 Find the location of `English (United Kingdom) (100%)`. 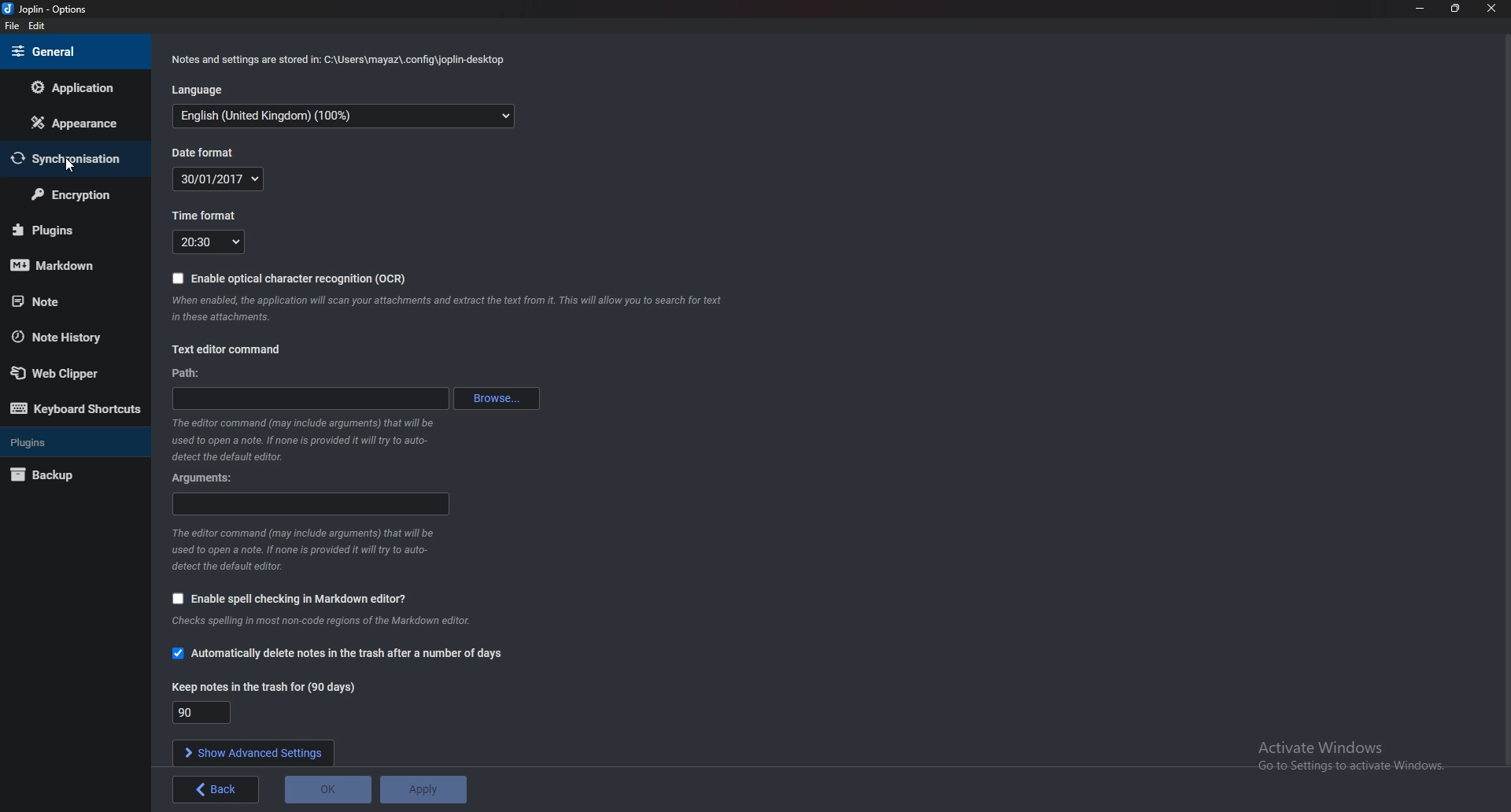

English (United Kingdom) (100%) is located at coordinates (344, 116).